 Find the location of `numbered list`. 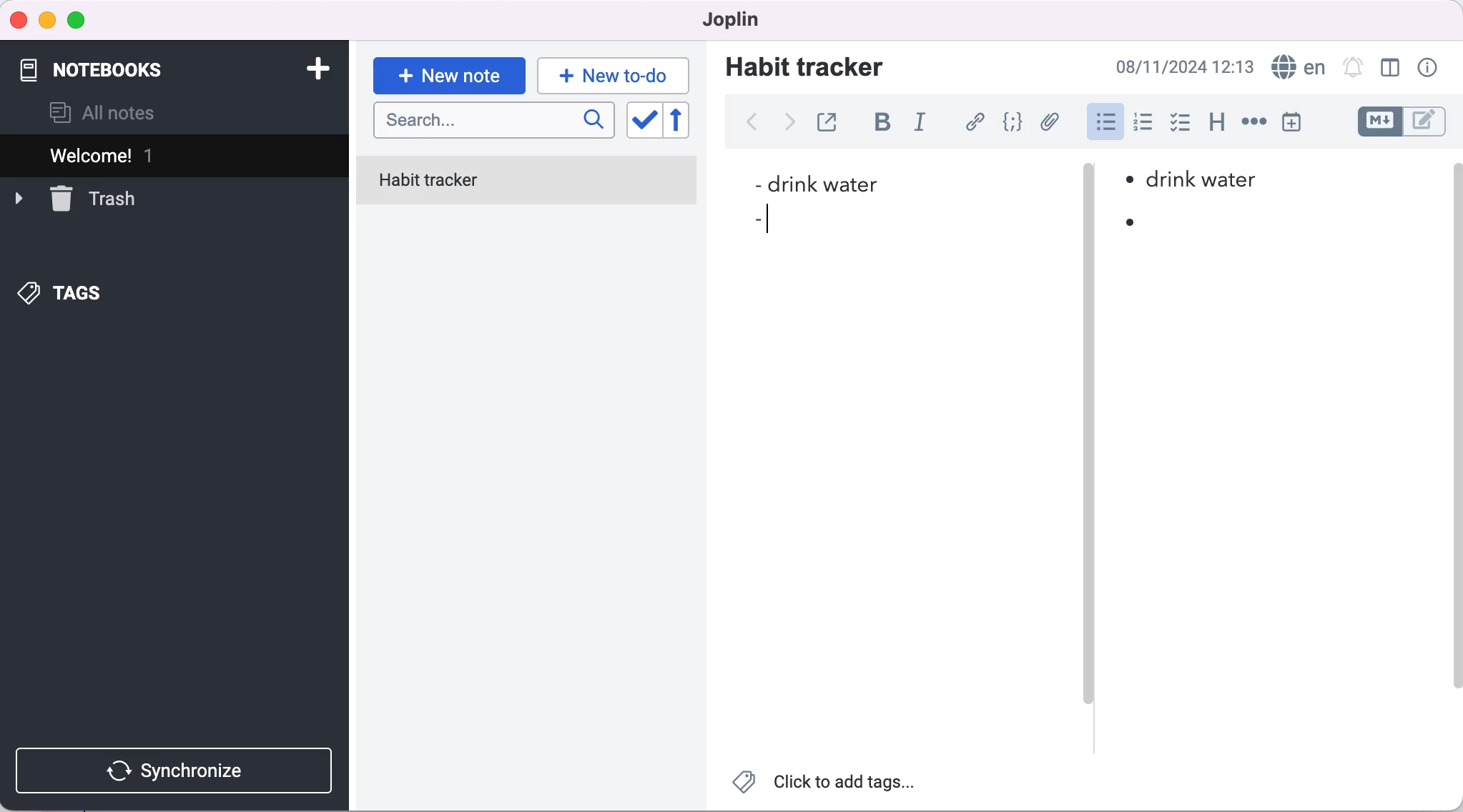

numbered list is located at coordinates (1147, 124).